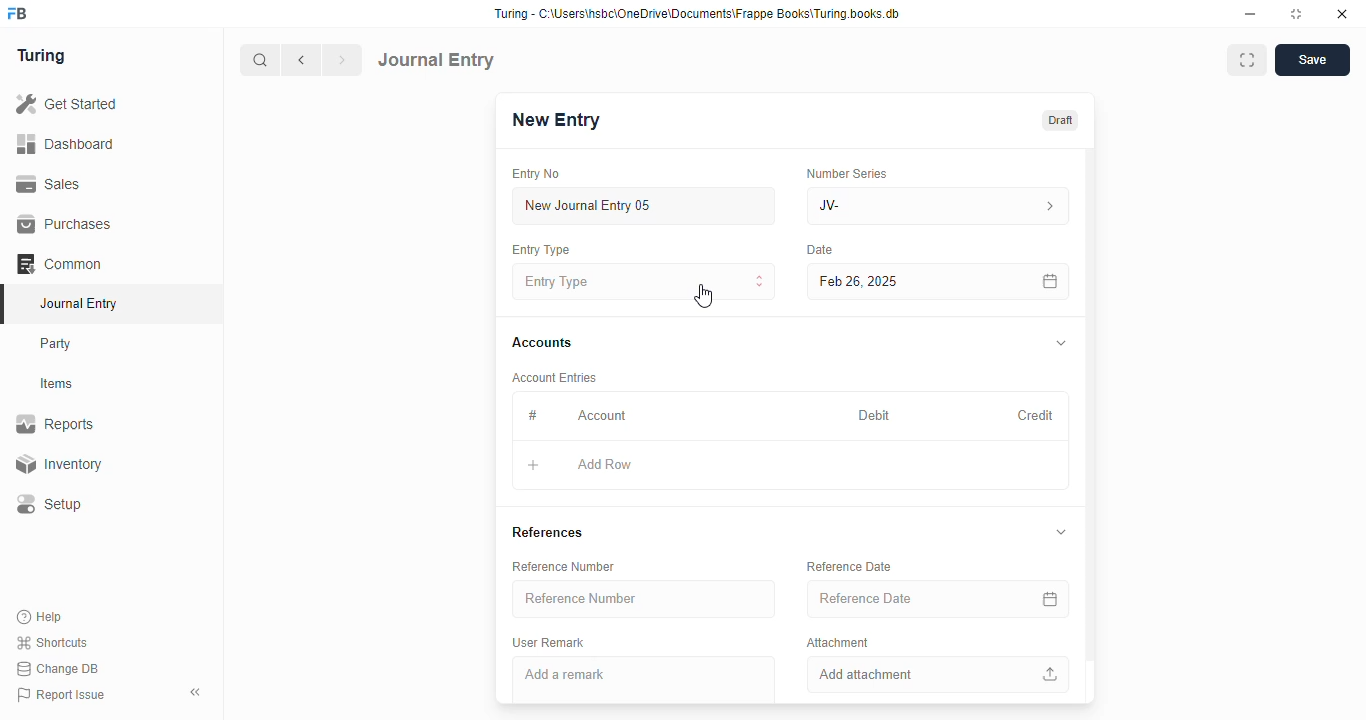 The height and width of the screenshot is (720, 1366). I want to click on close, so click(1342, 14).